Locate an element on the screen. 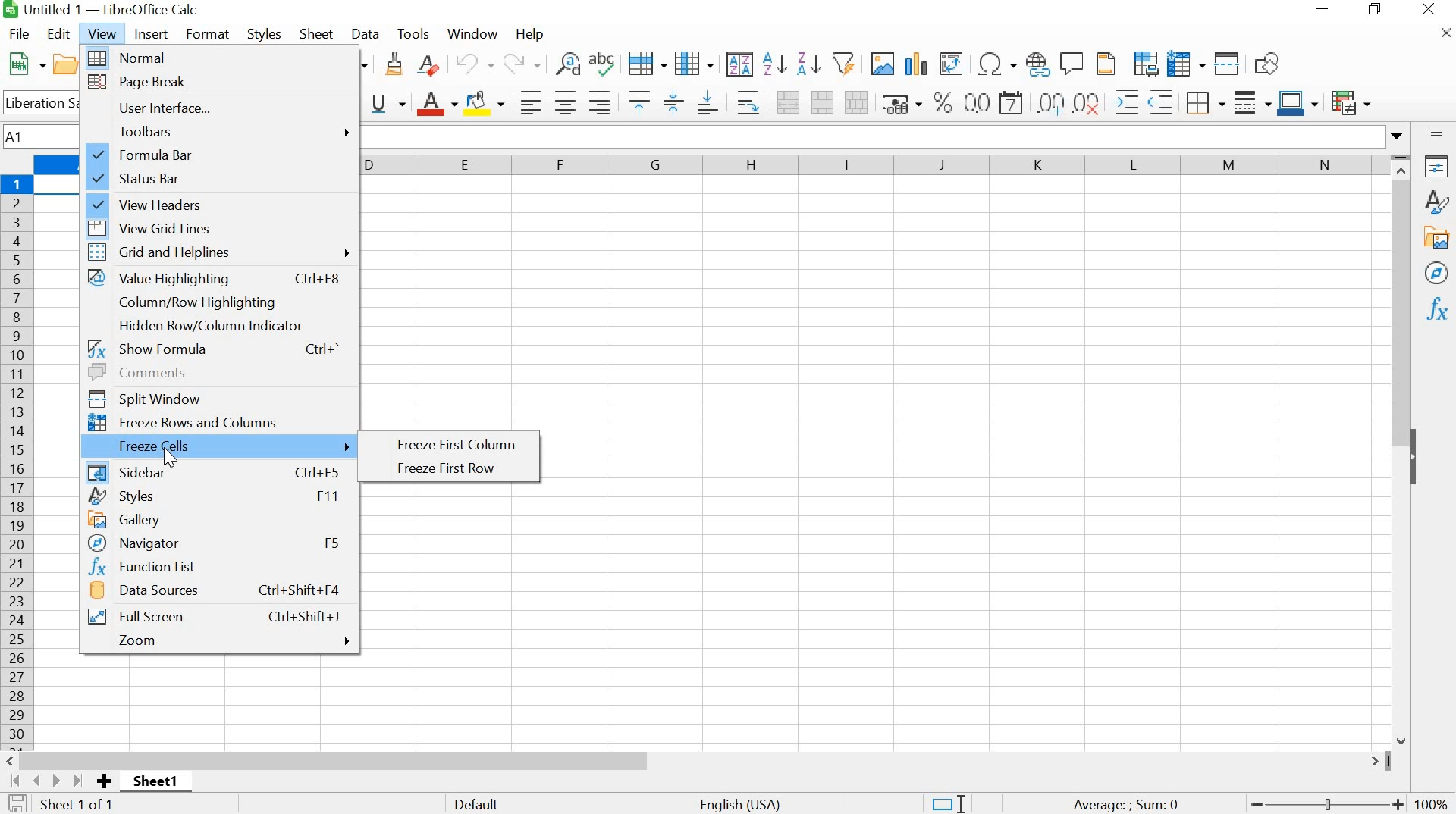  WINDOW is located at coordinates (473, 33).